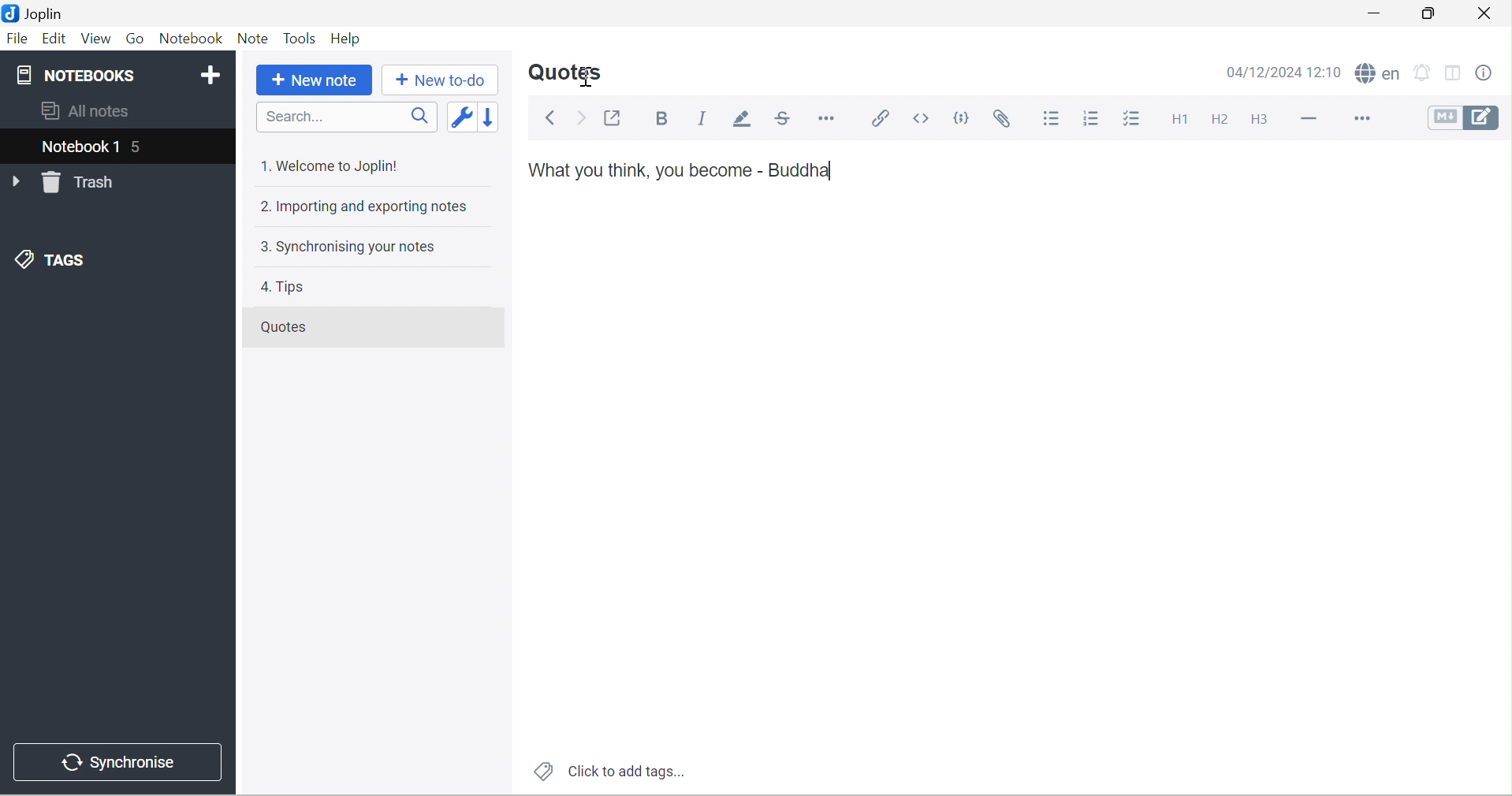 The height and width of the screenshot is (796, 1512). Describe the element at coordinates (333, 166) in the screenshot. I see `1. Welcome to Joplin!` at that location.